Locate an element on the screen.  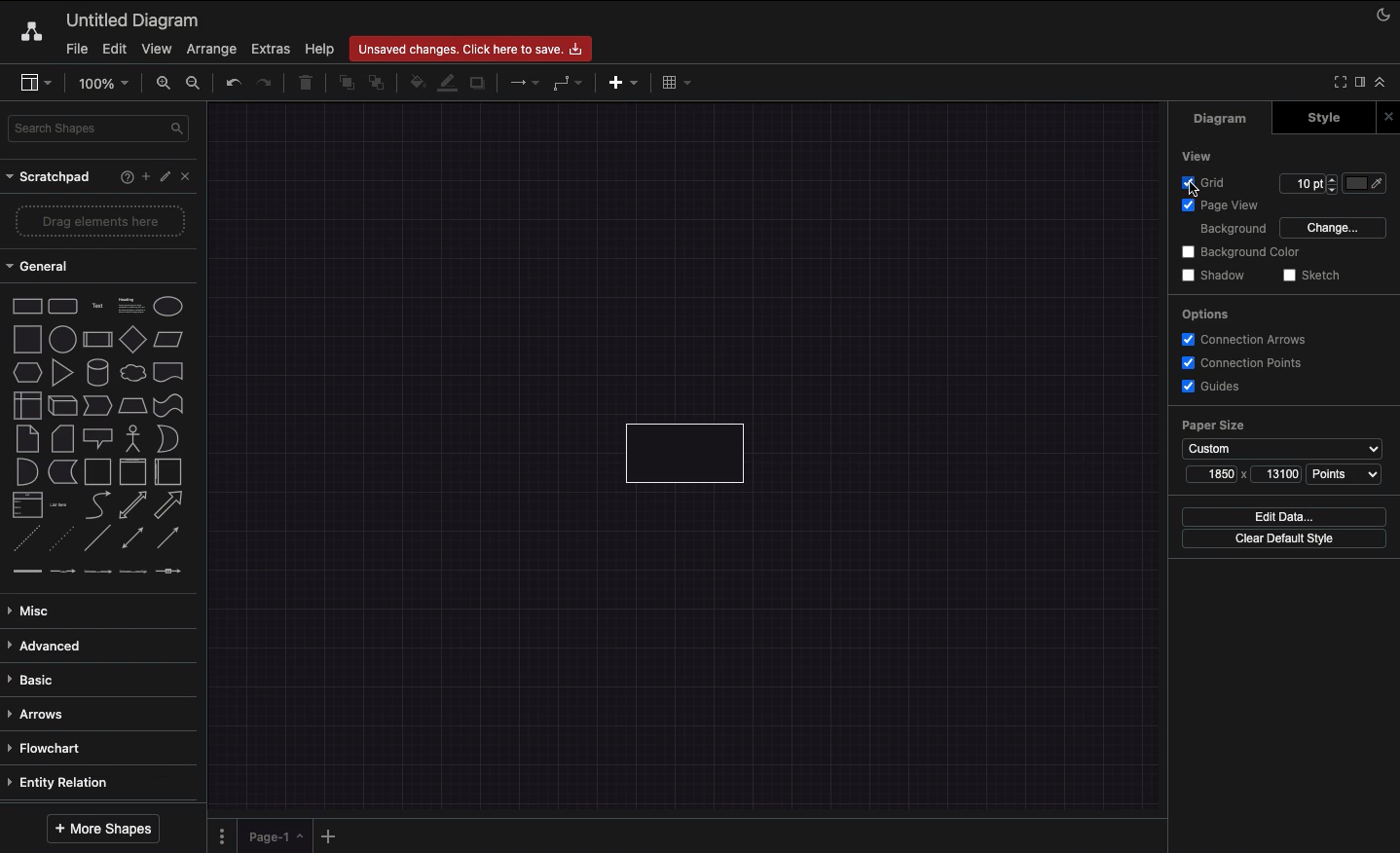
Sidebar is located at coordinates (35, 83).